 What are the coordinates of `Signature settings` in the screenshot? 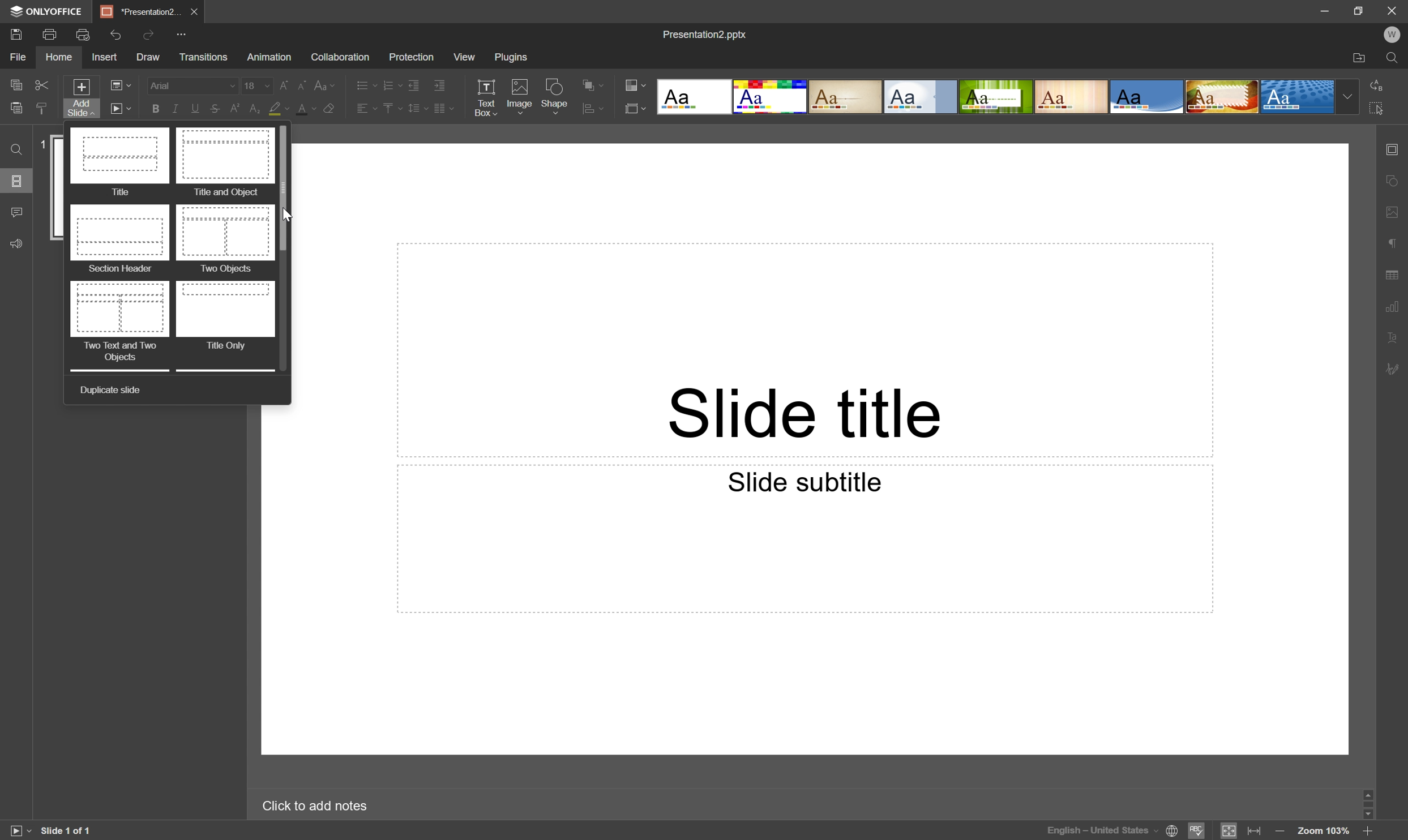 It's located at (1397, 368).